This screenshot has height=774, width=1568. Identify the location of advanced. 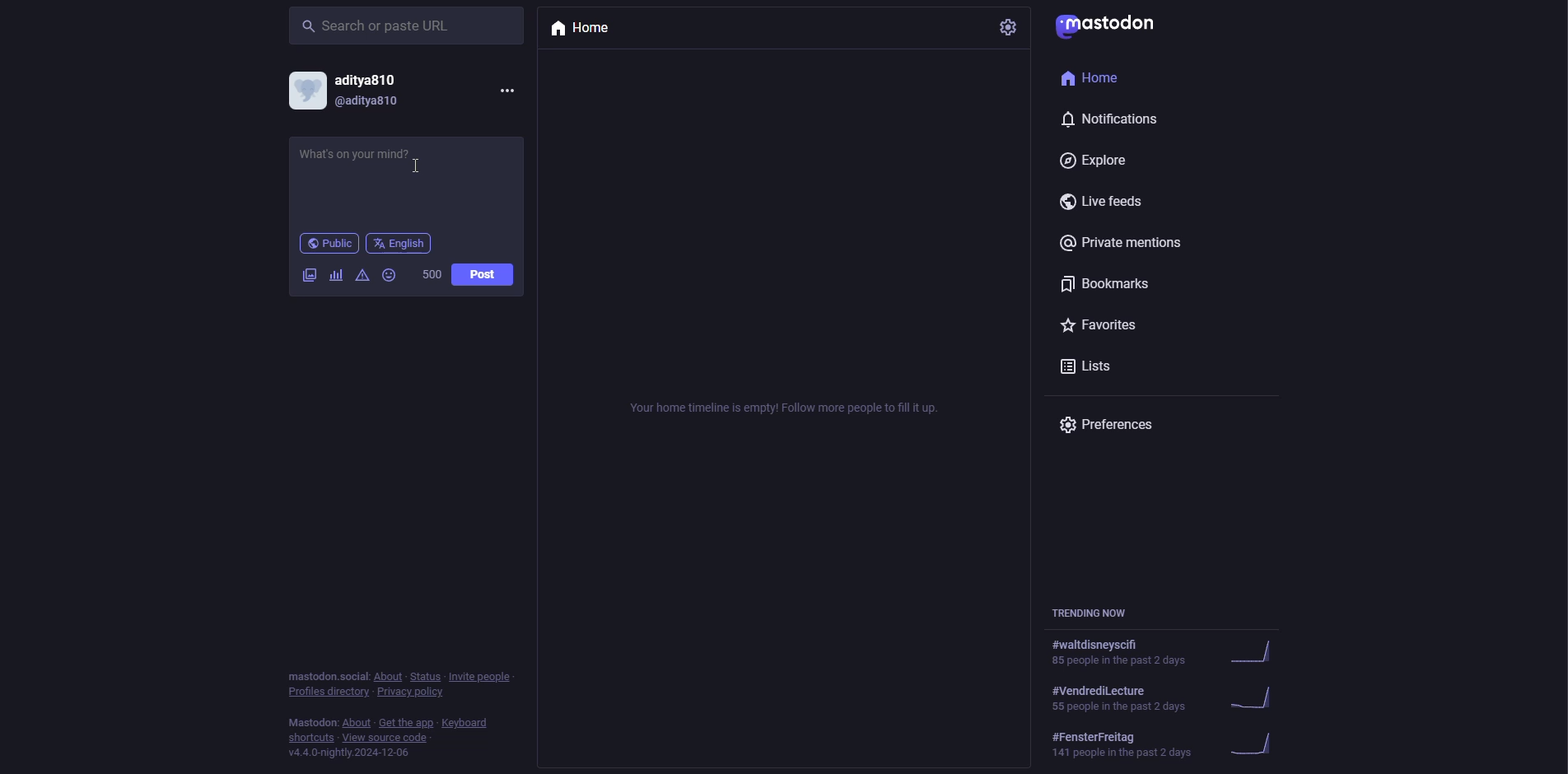
(364, 276).